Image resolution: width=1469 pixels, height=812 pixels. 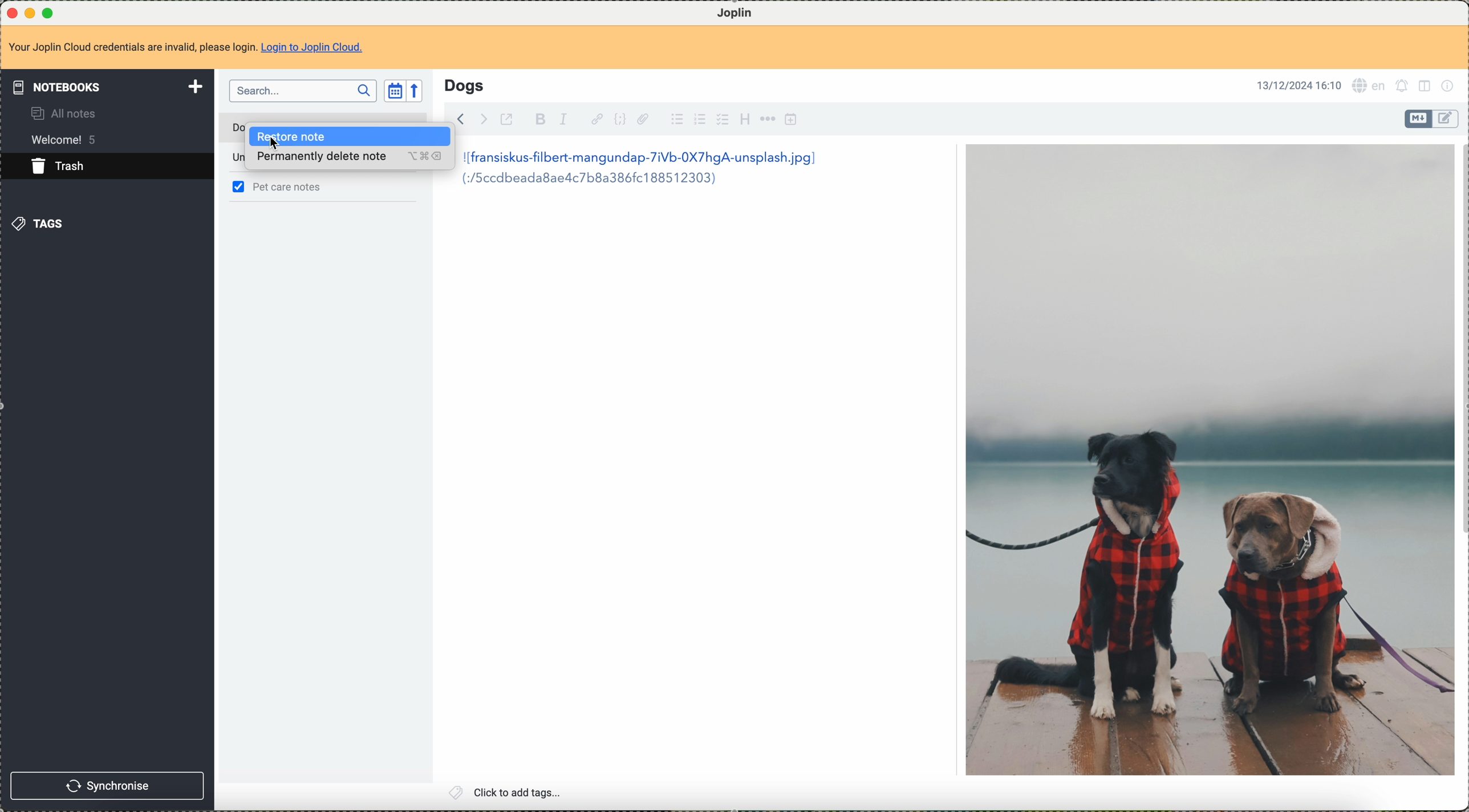 What do you see at coordinates (42, 226) in the screenshot?
I see `tags` at bounding box center [42, 226].